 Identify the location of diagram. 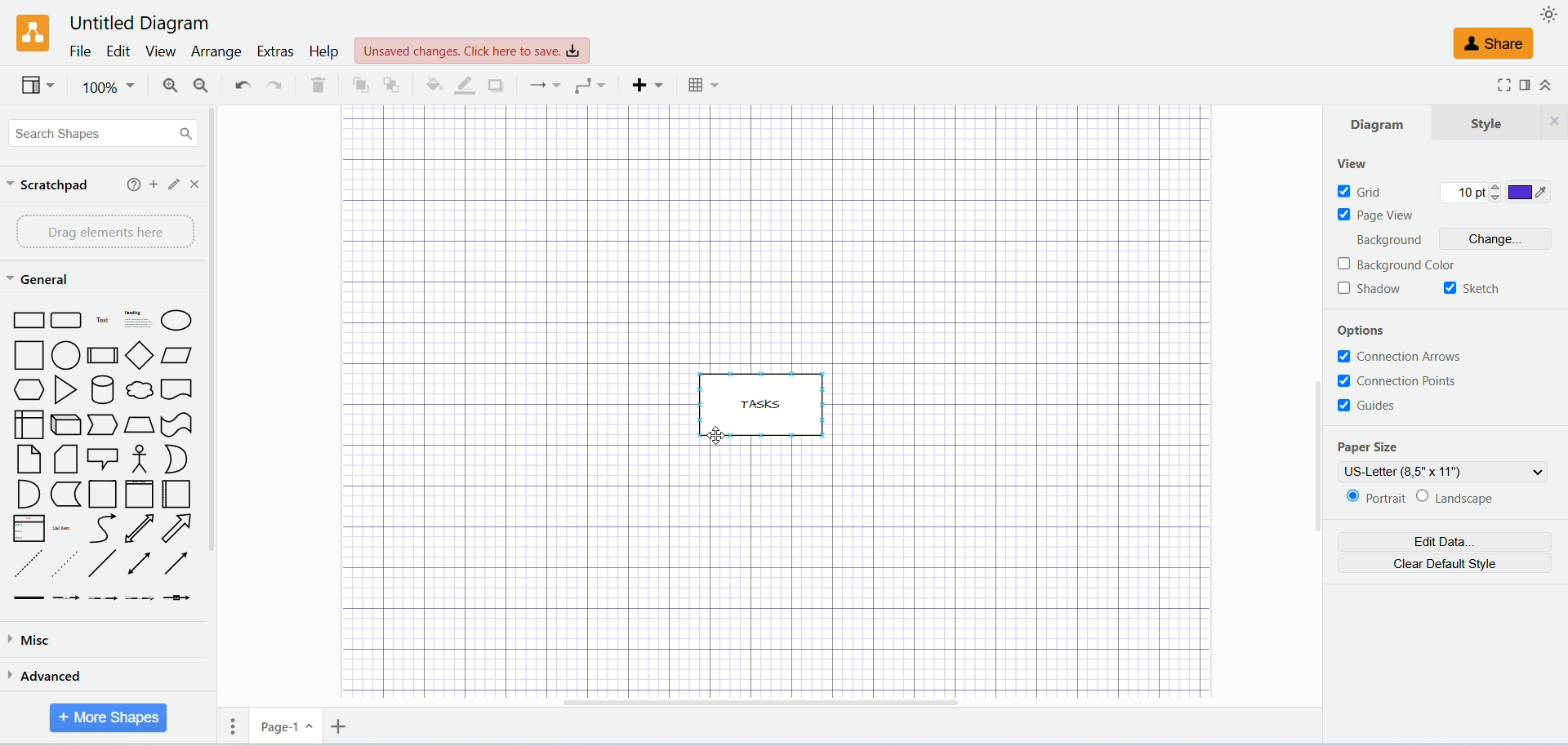
(1383, 126).